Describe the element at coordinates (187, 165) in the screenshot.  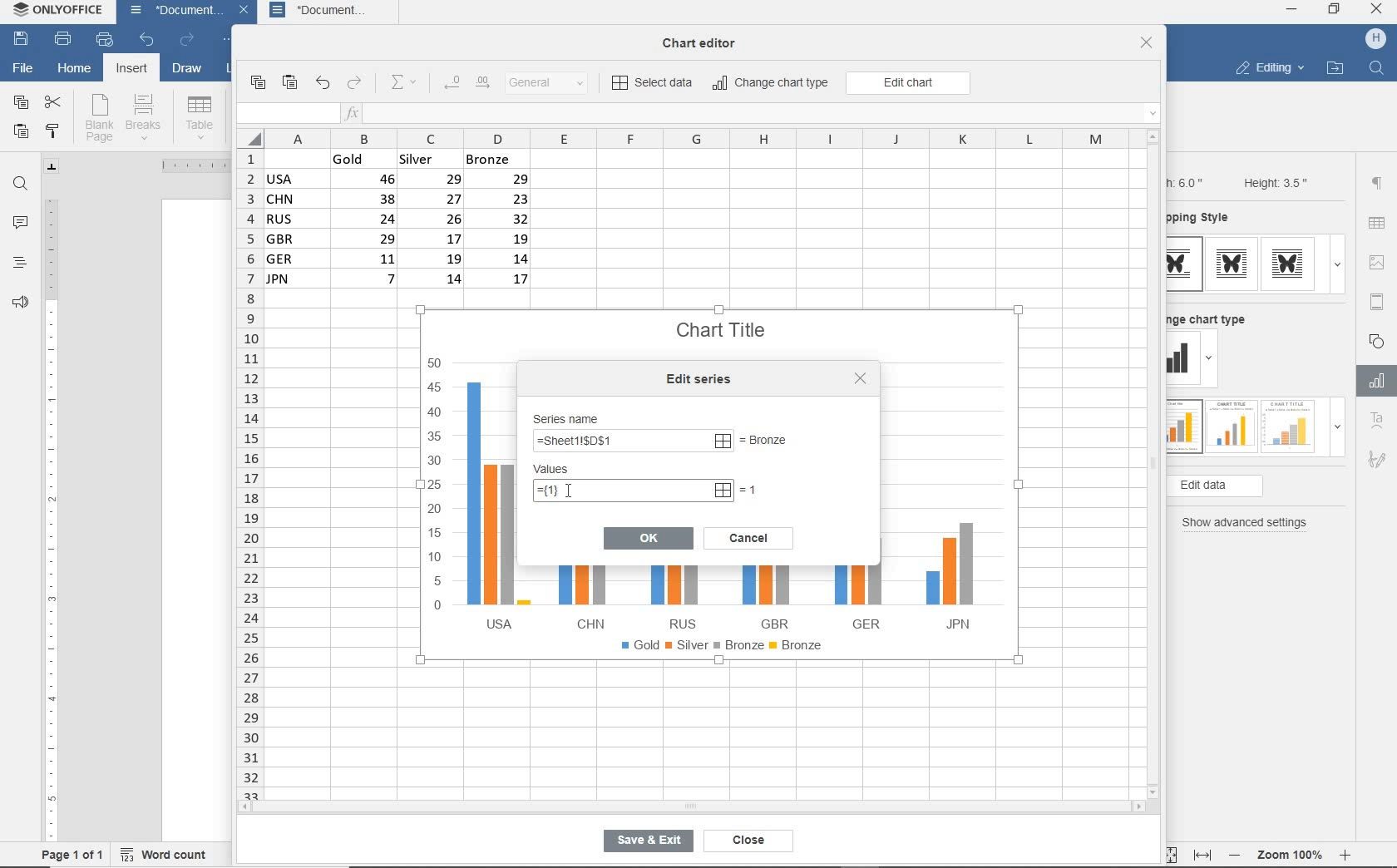
I see `ruler` at that location.